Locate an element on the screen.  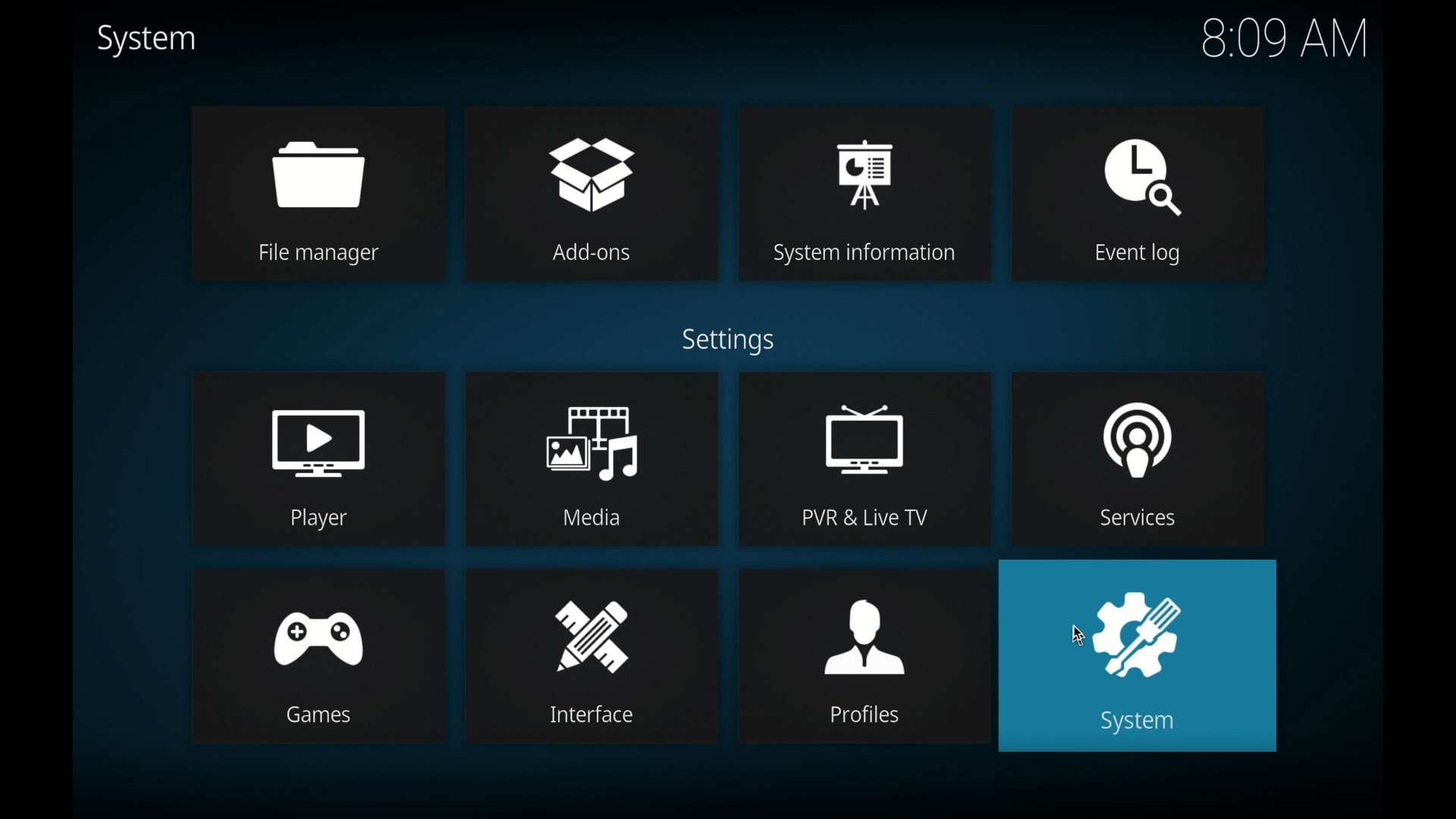
event log is located at coordinates (1141, 194).